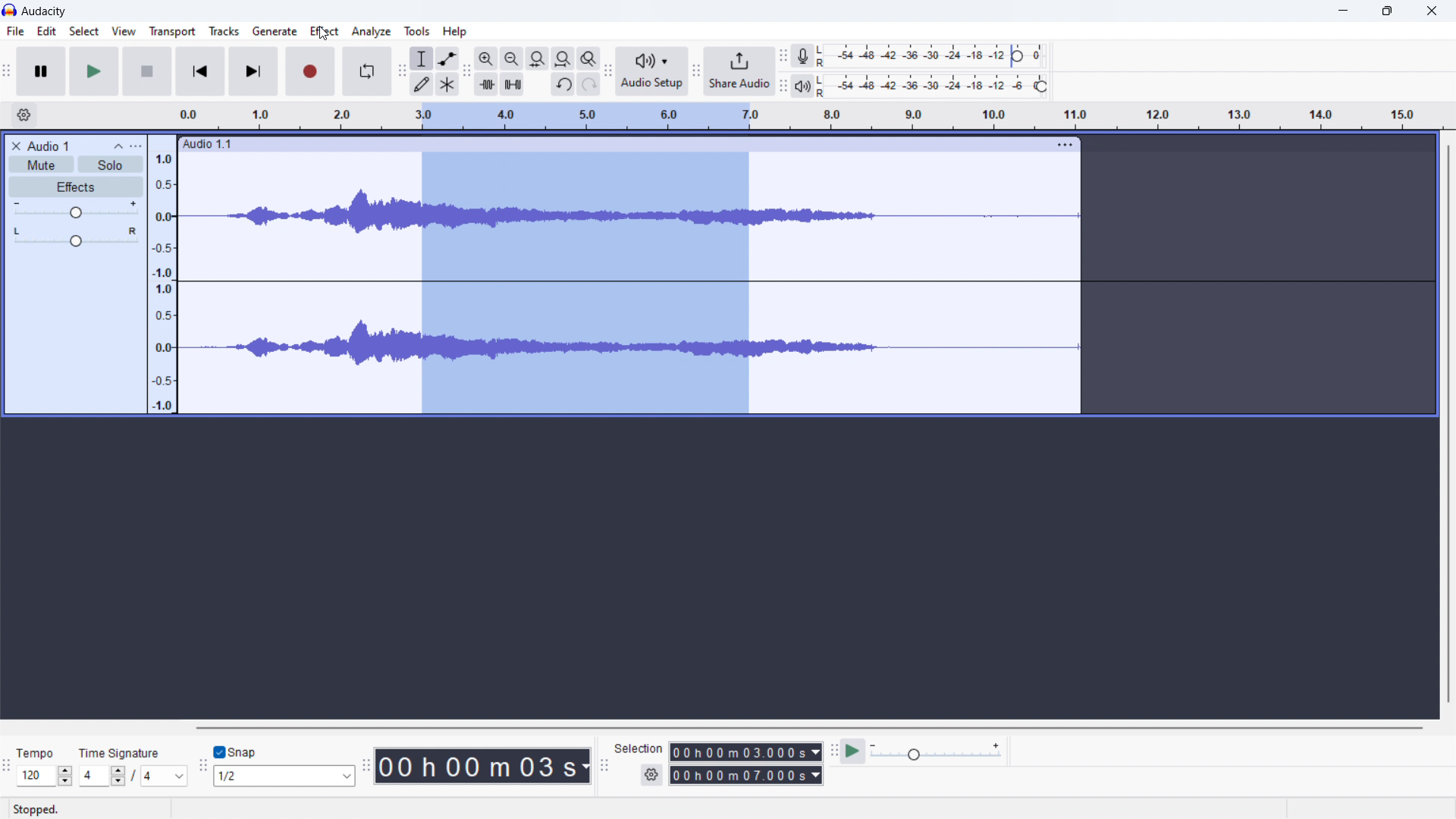  Describe the element at coordinates (290, 288) in the screenshot. I see `soundtrack` at that location.